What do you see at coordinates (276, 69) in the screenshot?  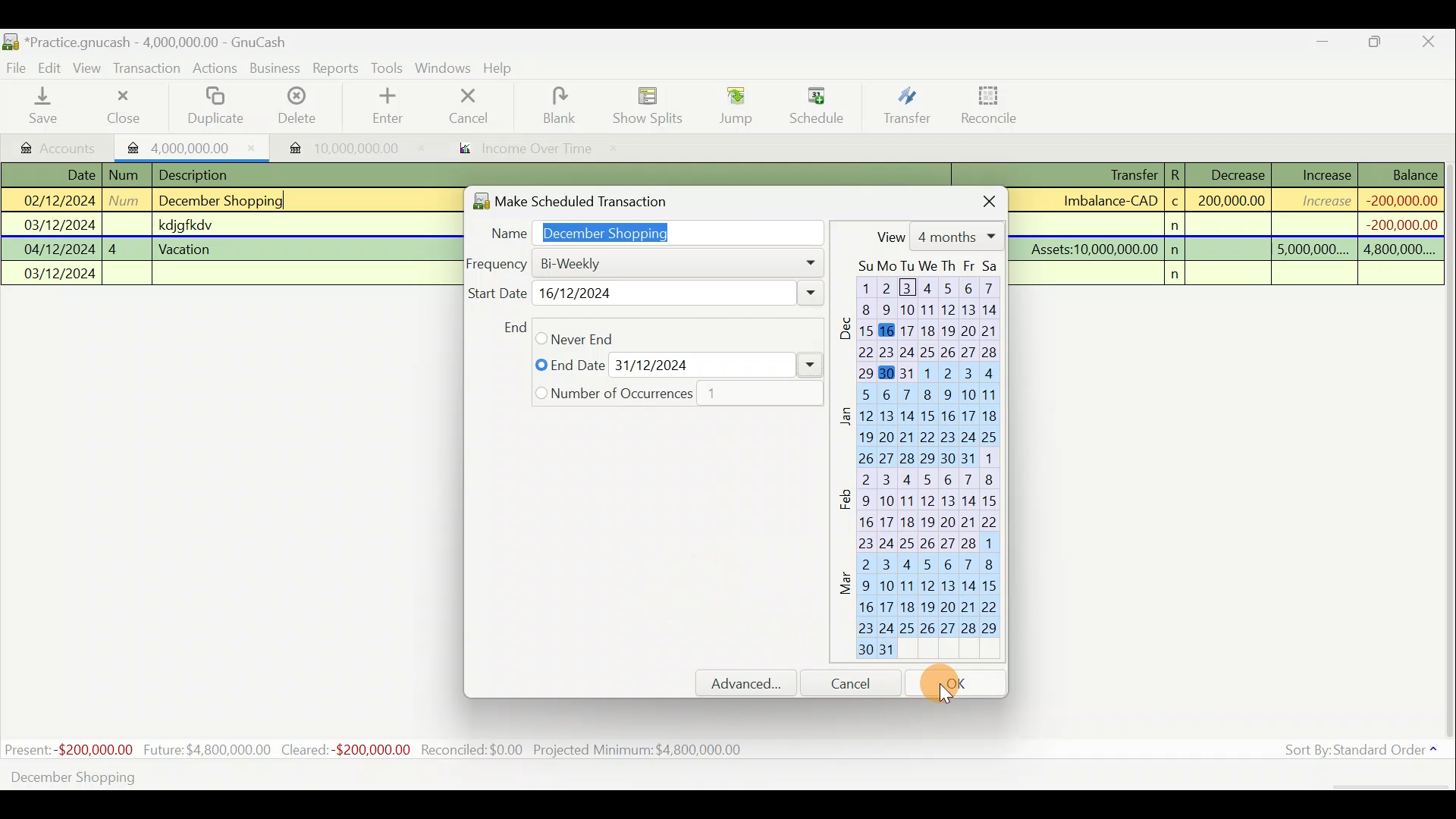 I see `Business` at bounding box center [276, 69].